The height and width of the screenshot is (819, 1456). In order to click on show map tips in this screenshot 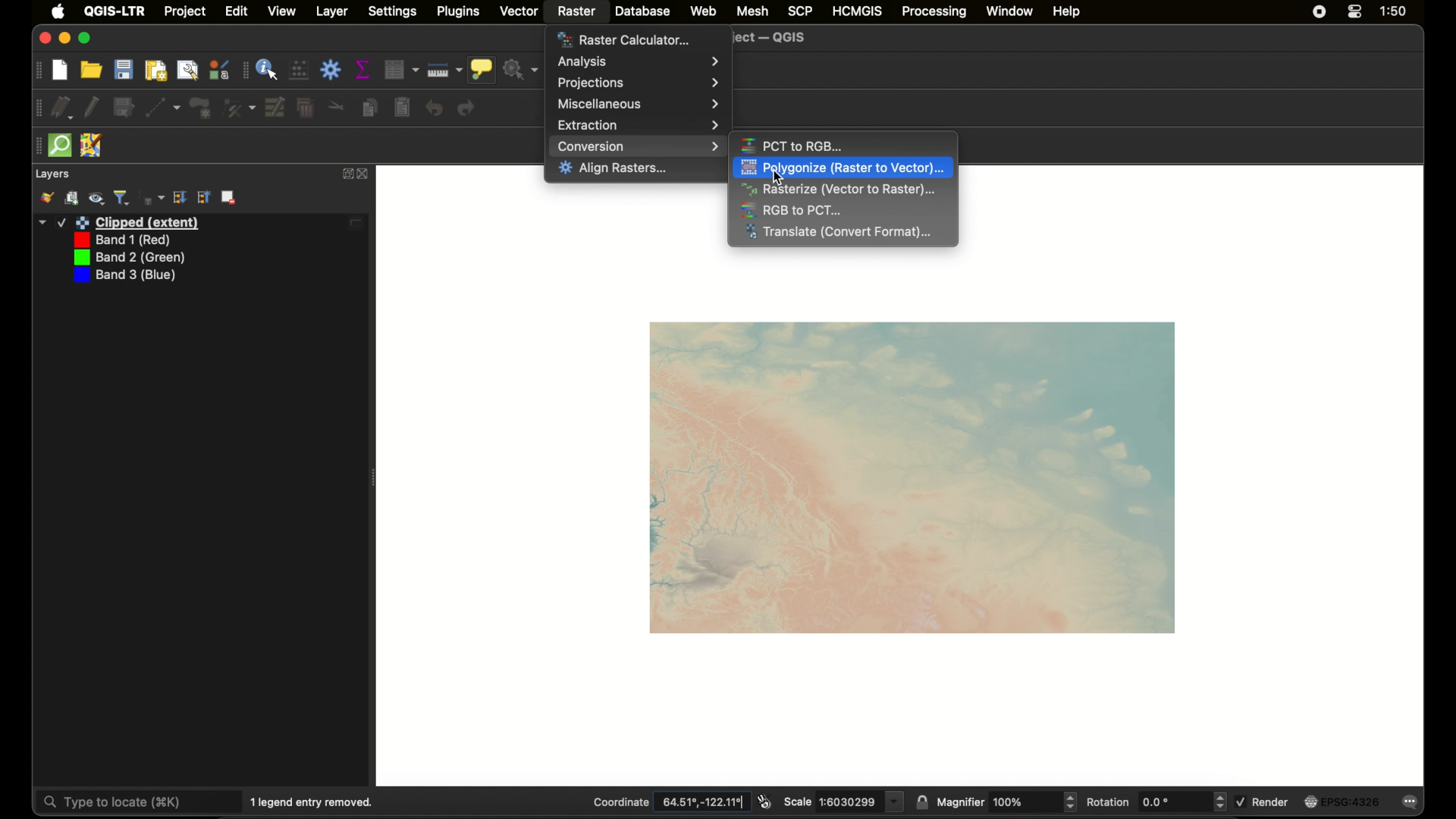, I will do `click(482, 70)`.